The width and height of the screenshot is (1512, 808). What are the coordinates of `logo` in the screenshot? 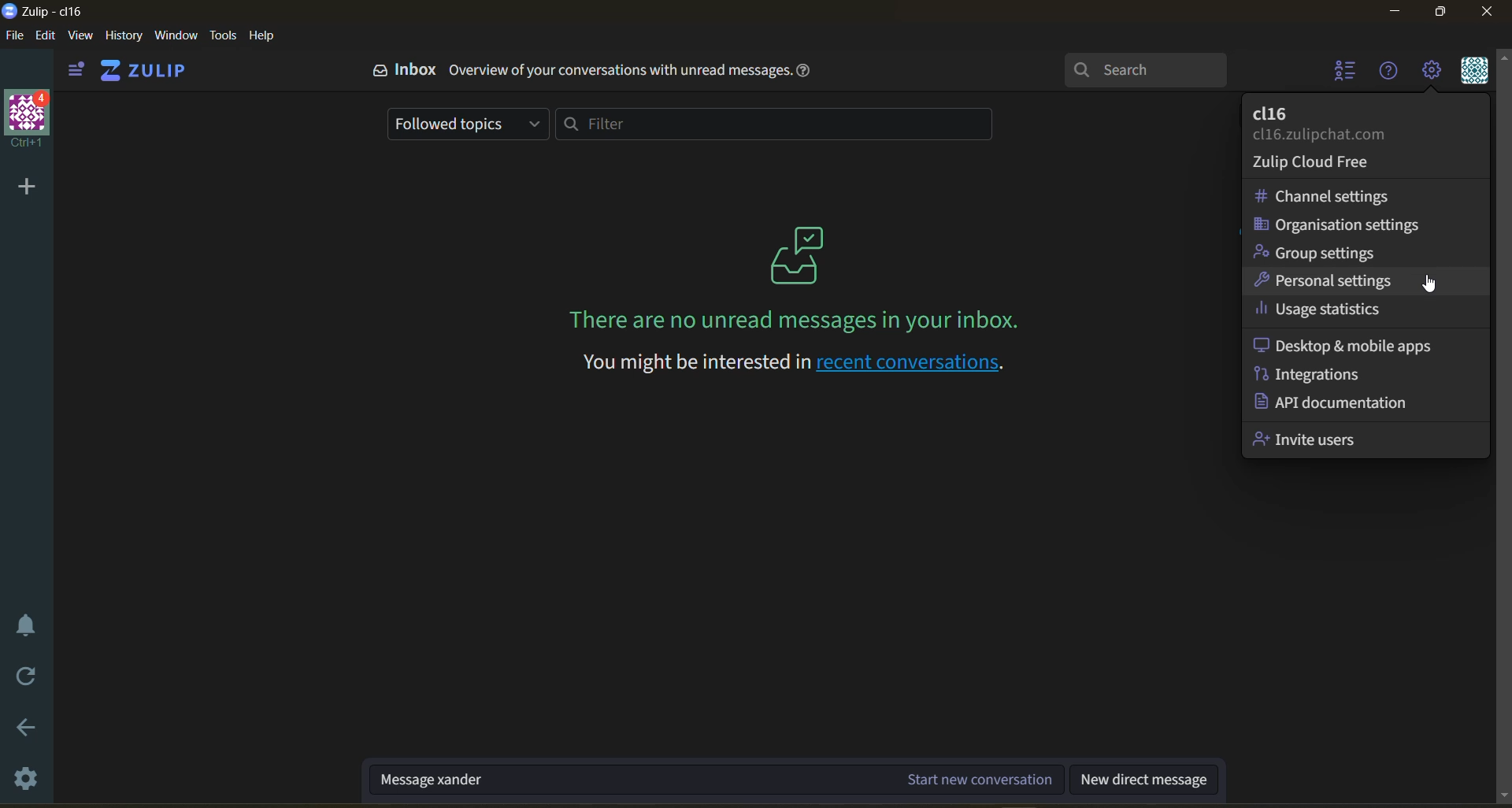 It's located at (795, 252).